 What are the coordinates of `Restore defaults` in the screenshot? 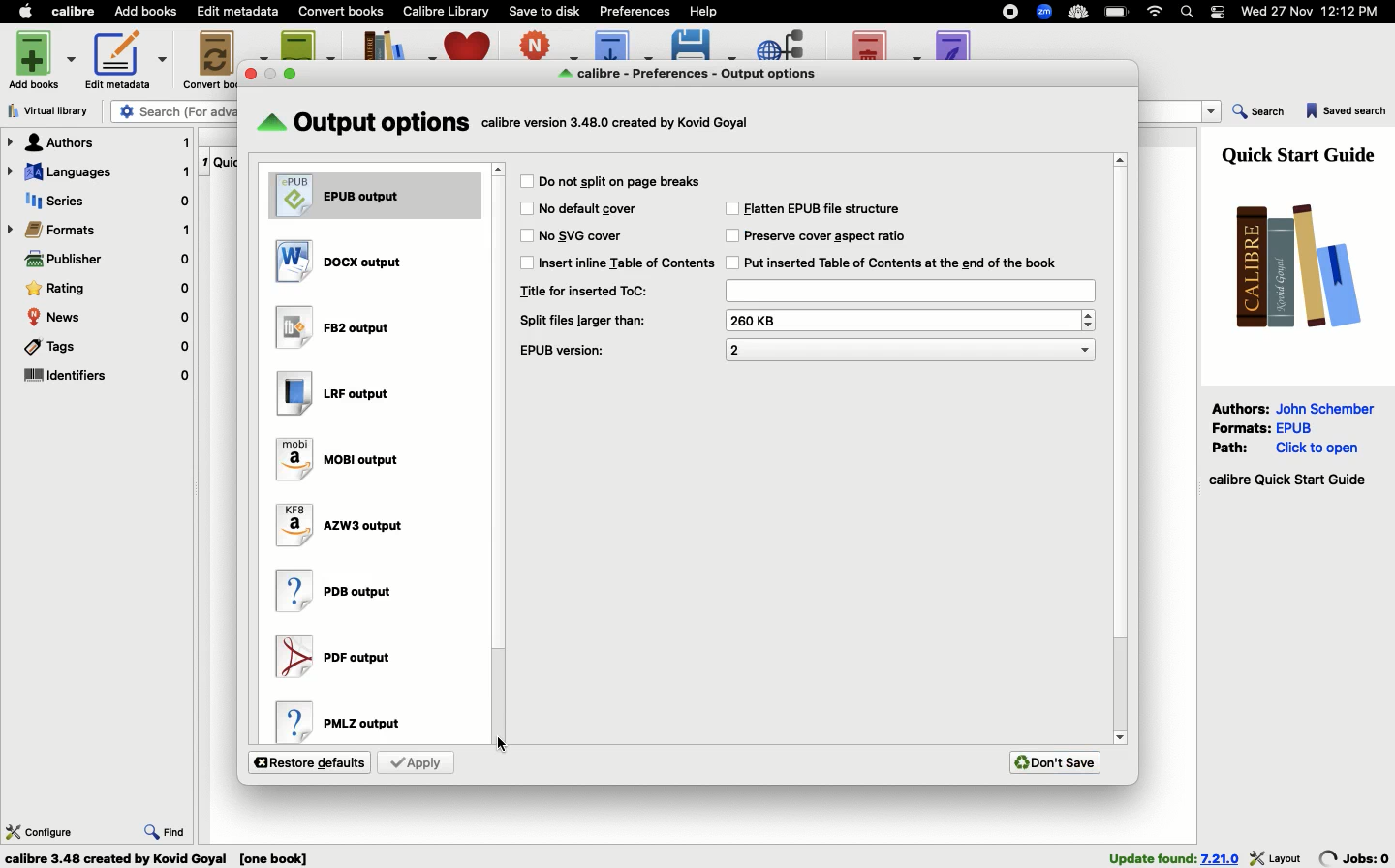 It's located at (310, 762).